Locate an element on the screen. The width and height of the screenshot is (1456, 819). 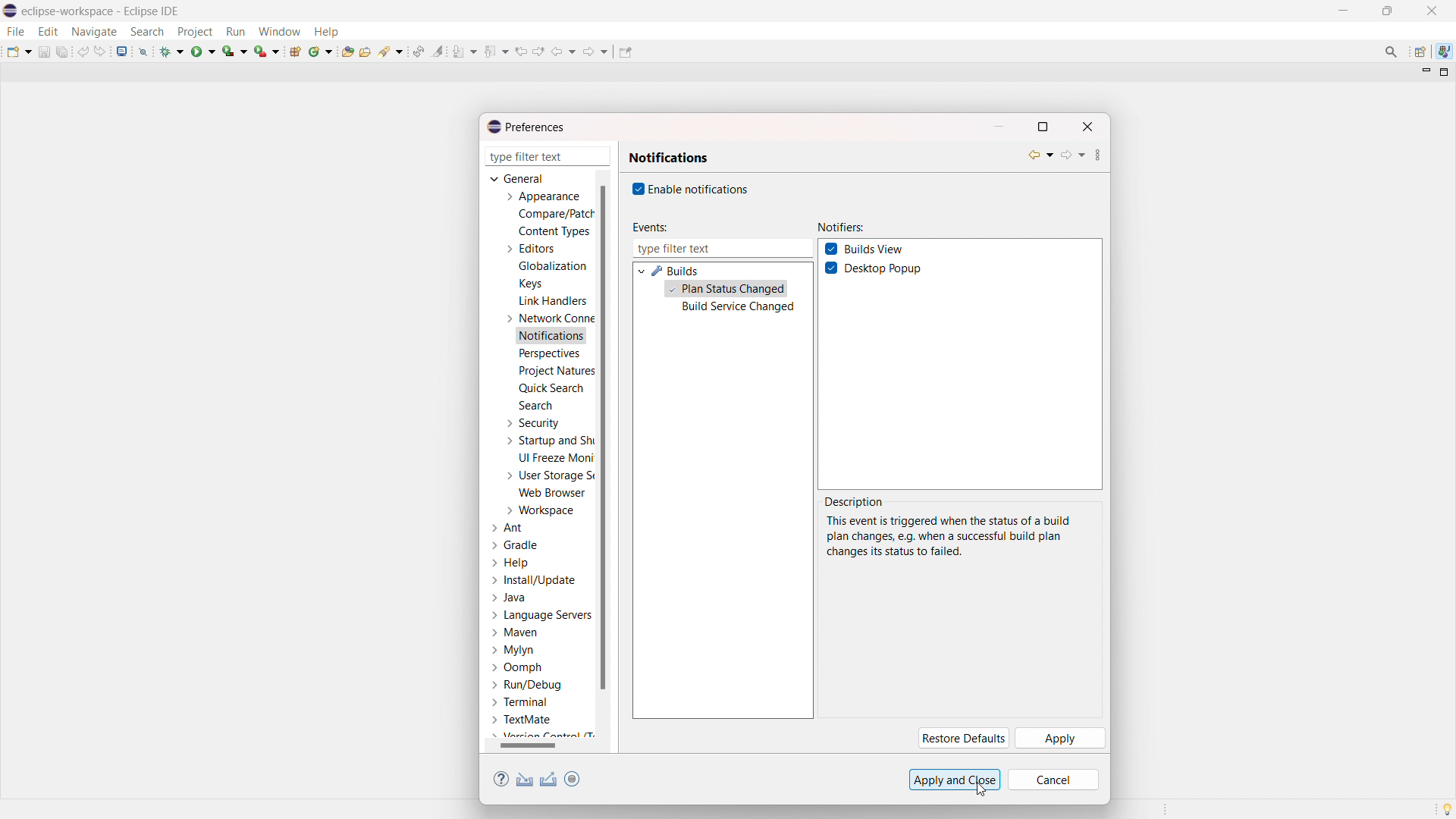
user storage service is located at coordinates (547, 475).